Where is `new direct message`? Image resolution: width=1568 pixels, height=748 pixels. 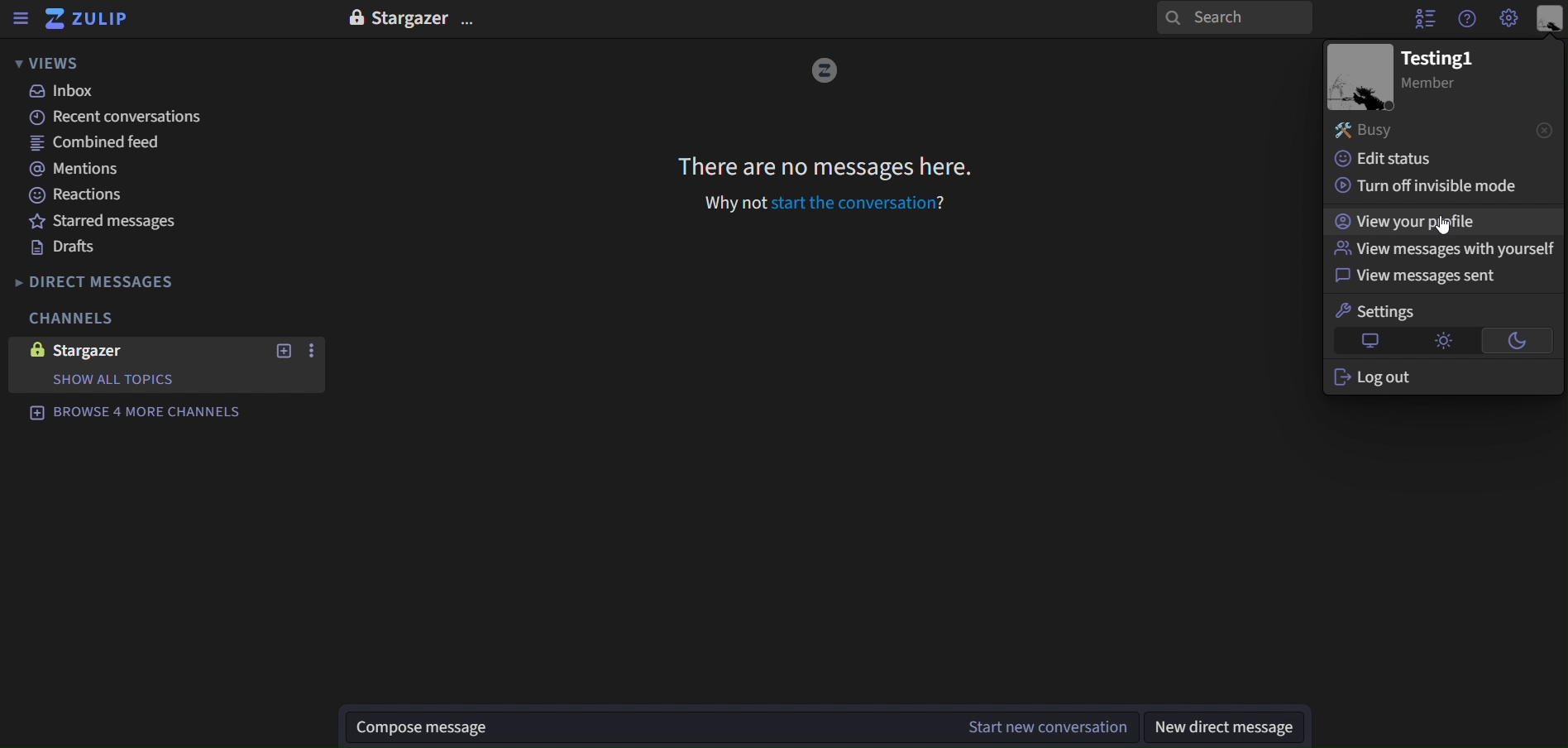 new direct message is located at coordinates (1230, 729).